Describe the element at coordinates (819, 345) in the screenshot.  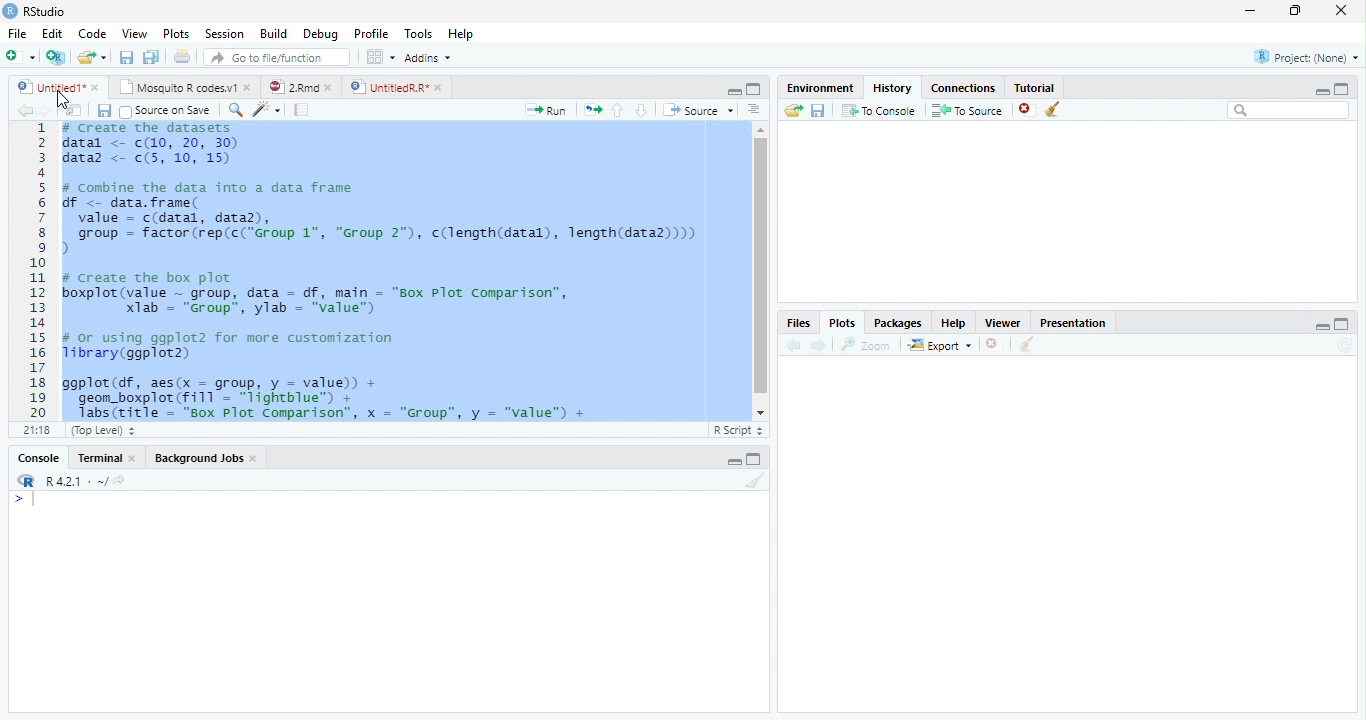
I see `Next plot` at that location.